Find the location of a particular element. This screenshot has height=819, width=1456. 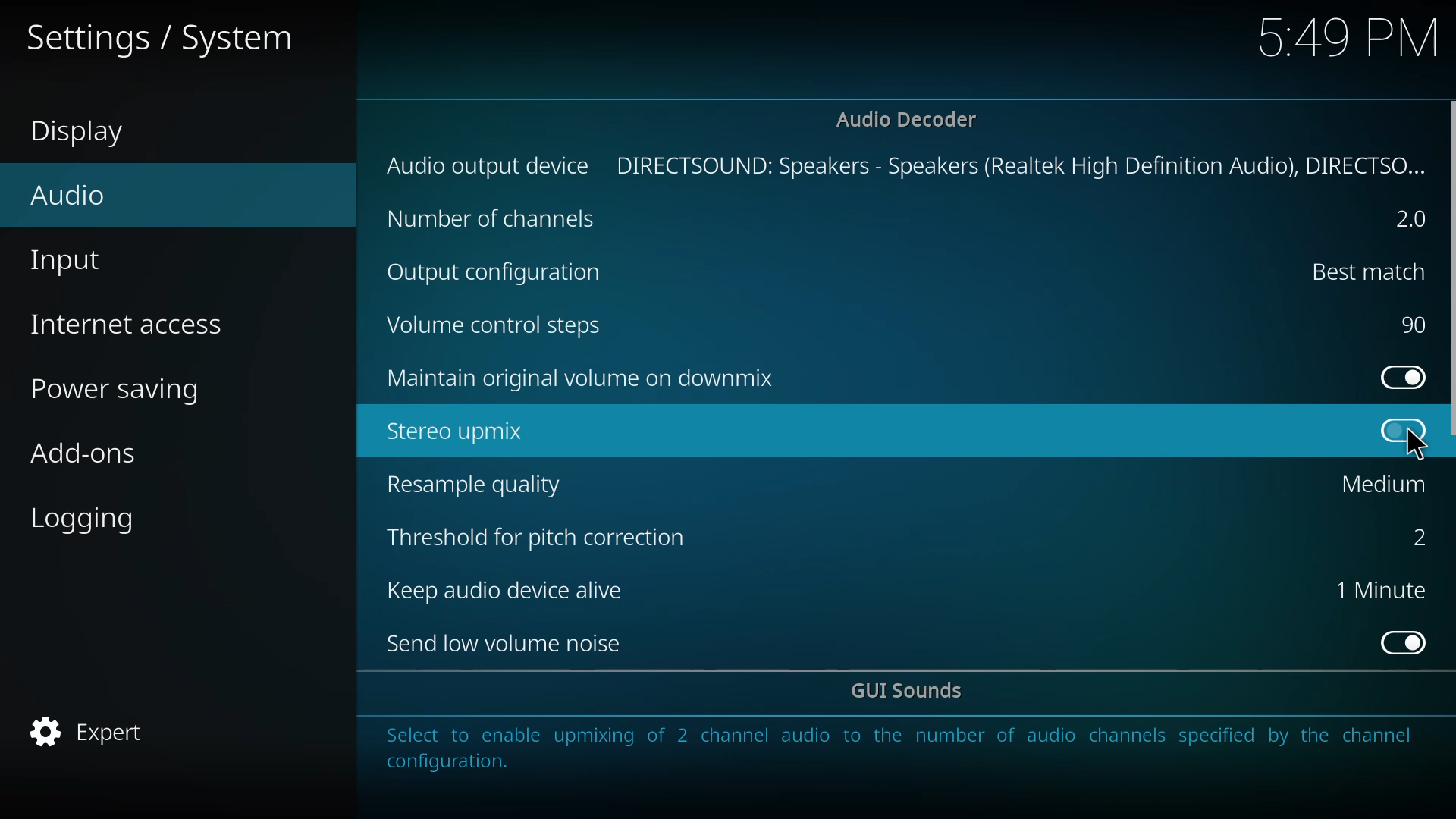

enabled is located at coordinates (1402, 378).